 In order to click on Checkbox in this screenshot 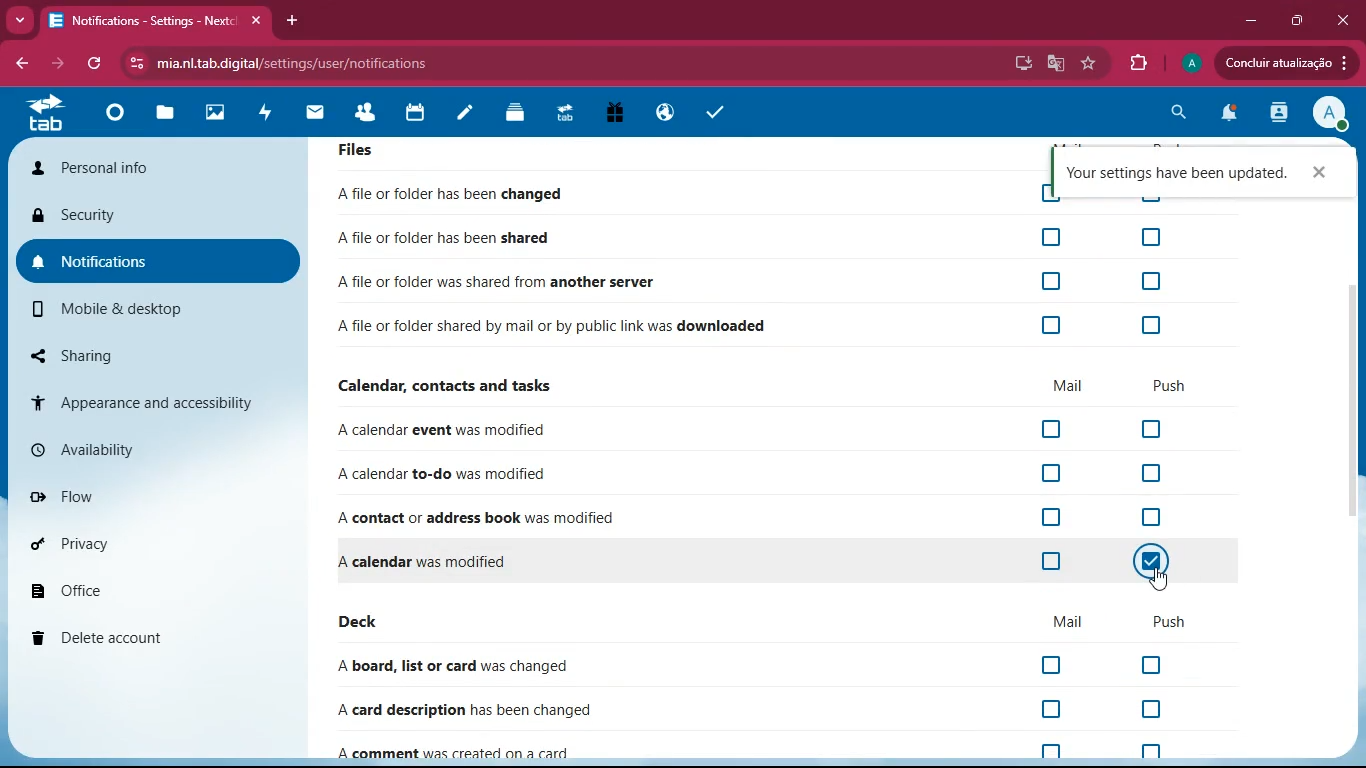, I will do `click(1054, 238)`.